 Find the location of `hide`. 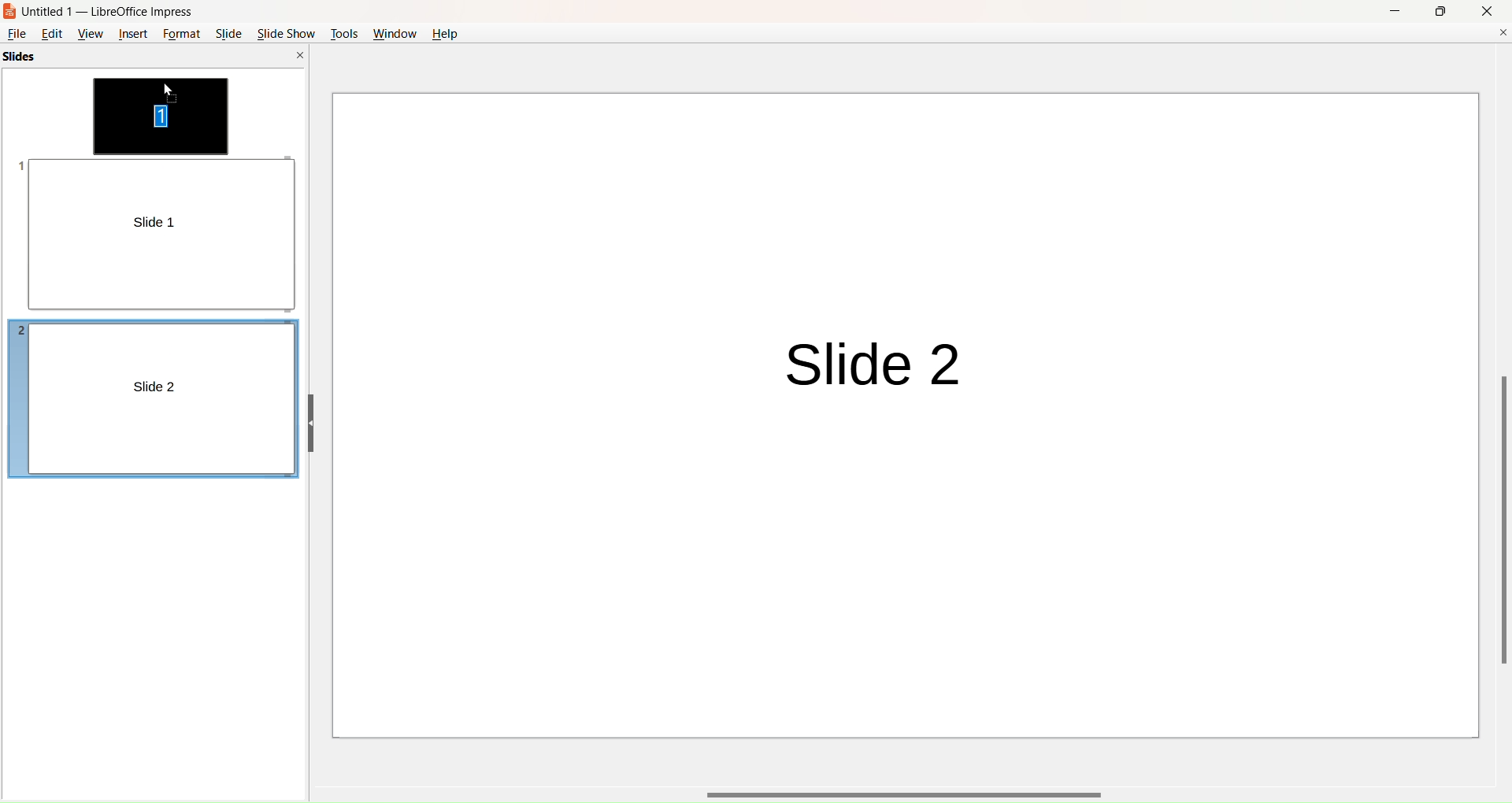

hide is located at coordinates (311, 424).